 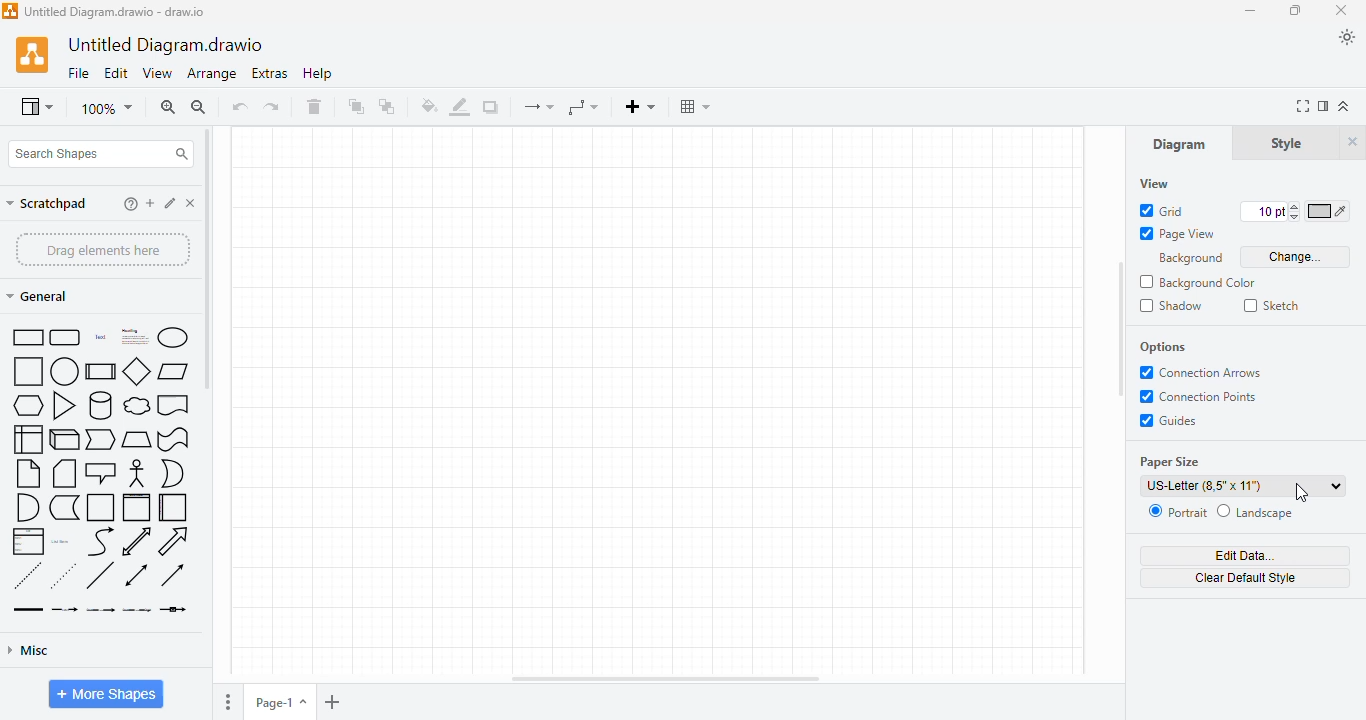 What do you see at coordinates (100, 610) in the screenshot?
I see `connector with 2 labels` at bounding box center [100, 610].